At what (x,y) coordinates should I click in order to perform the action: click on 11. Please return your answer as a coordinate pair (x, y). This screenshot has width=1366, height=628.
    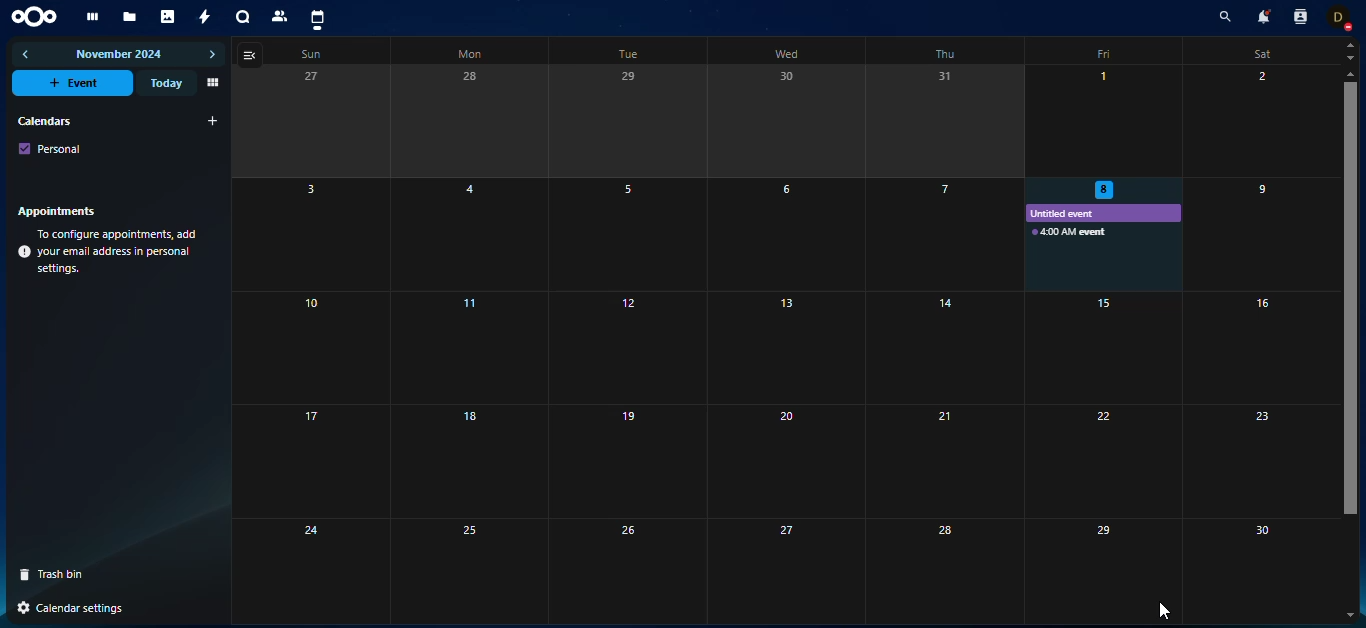
    Looking at the image, I should click on (473, 348).